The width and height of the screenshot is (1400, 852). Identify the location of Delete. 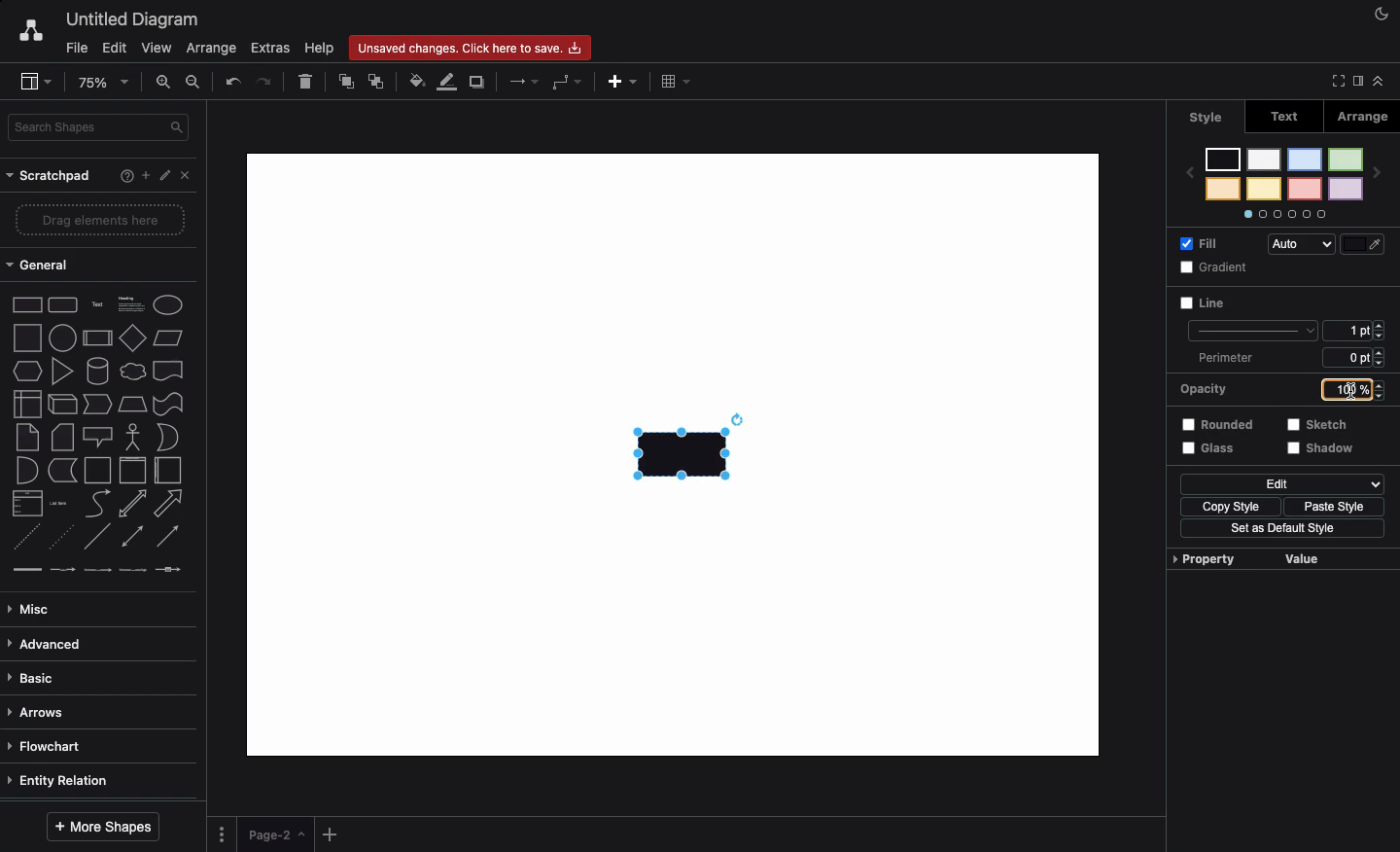
(310, 84).